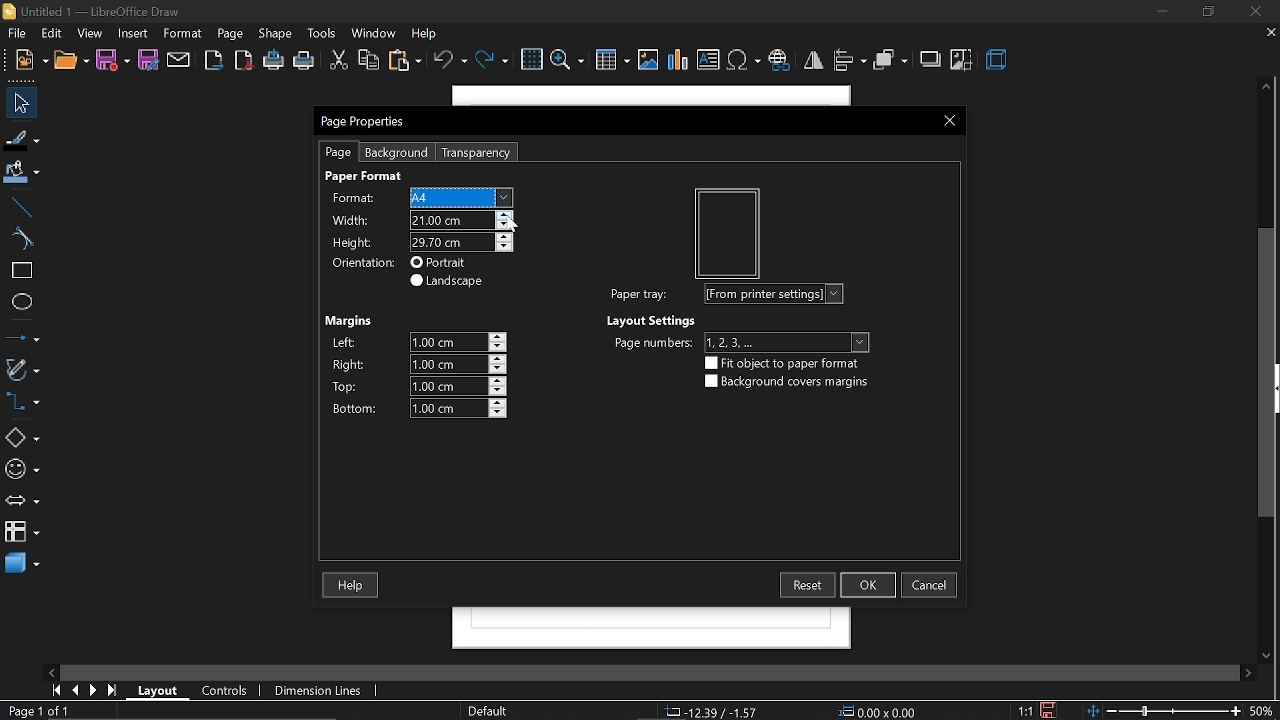 The height and width of the screenshot is (720, 1280). Describe the element at coordinates (867, 583) in the screenshot. I see `ok` at that location.